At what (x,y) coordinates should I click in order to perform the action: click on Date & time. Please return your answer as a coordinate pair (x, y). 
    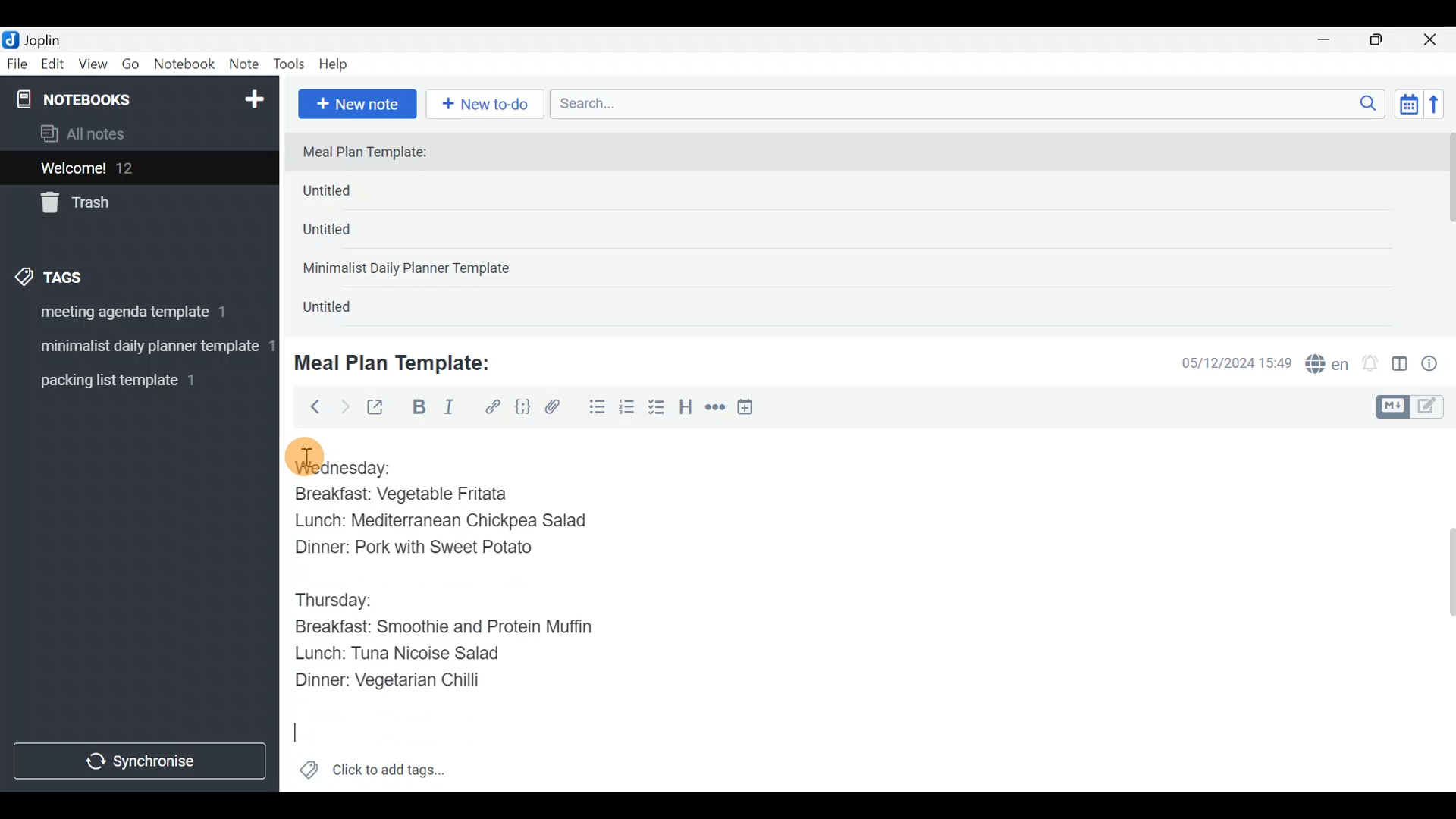
    Looking at the image, I should click on (1225, 362).